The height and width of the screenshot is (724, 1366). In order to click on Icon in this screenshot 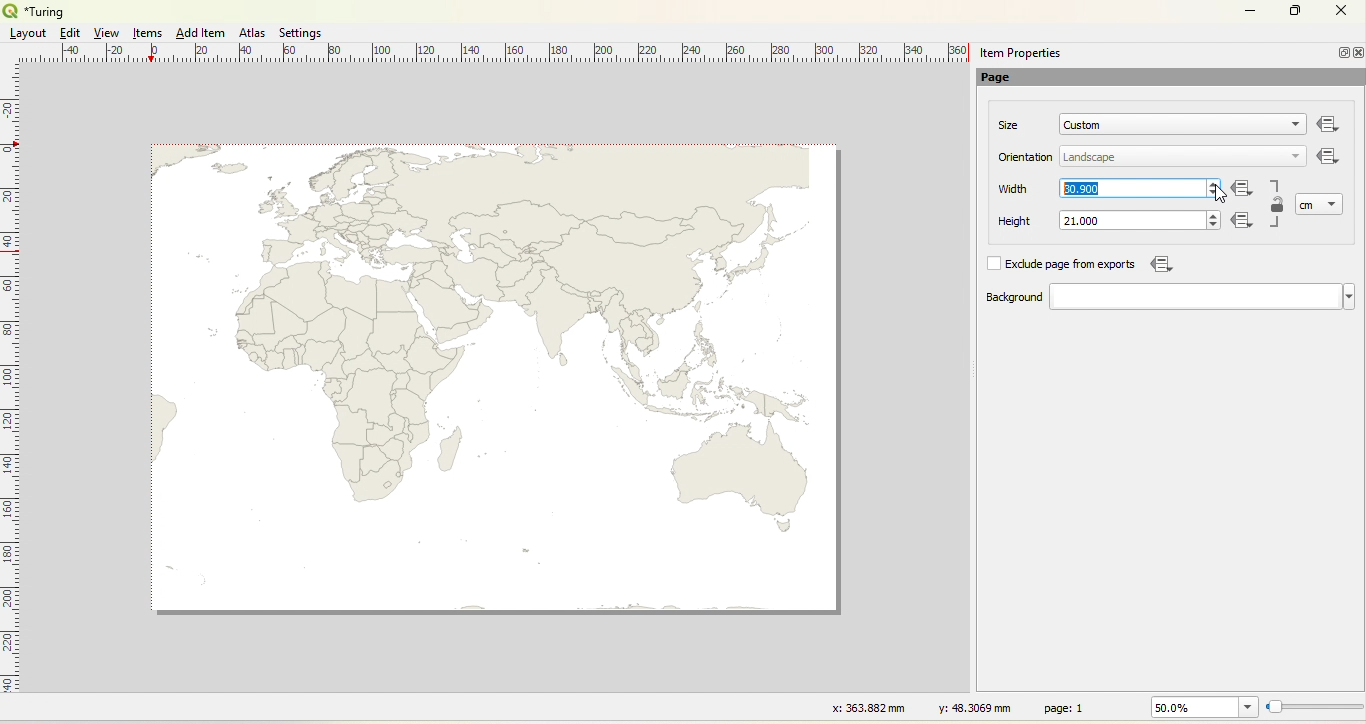, I will do `click(1243, 190)`.